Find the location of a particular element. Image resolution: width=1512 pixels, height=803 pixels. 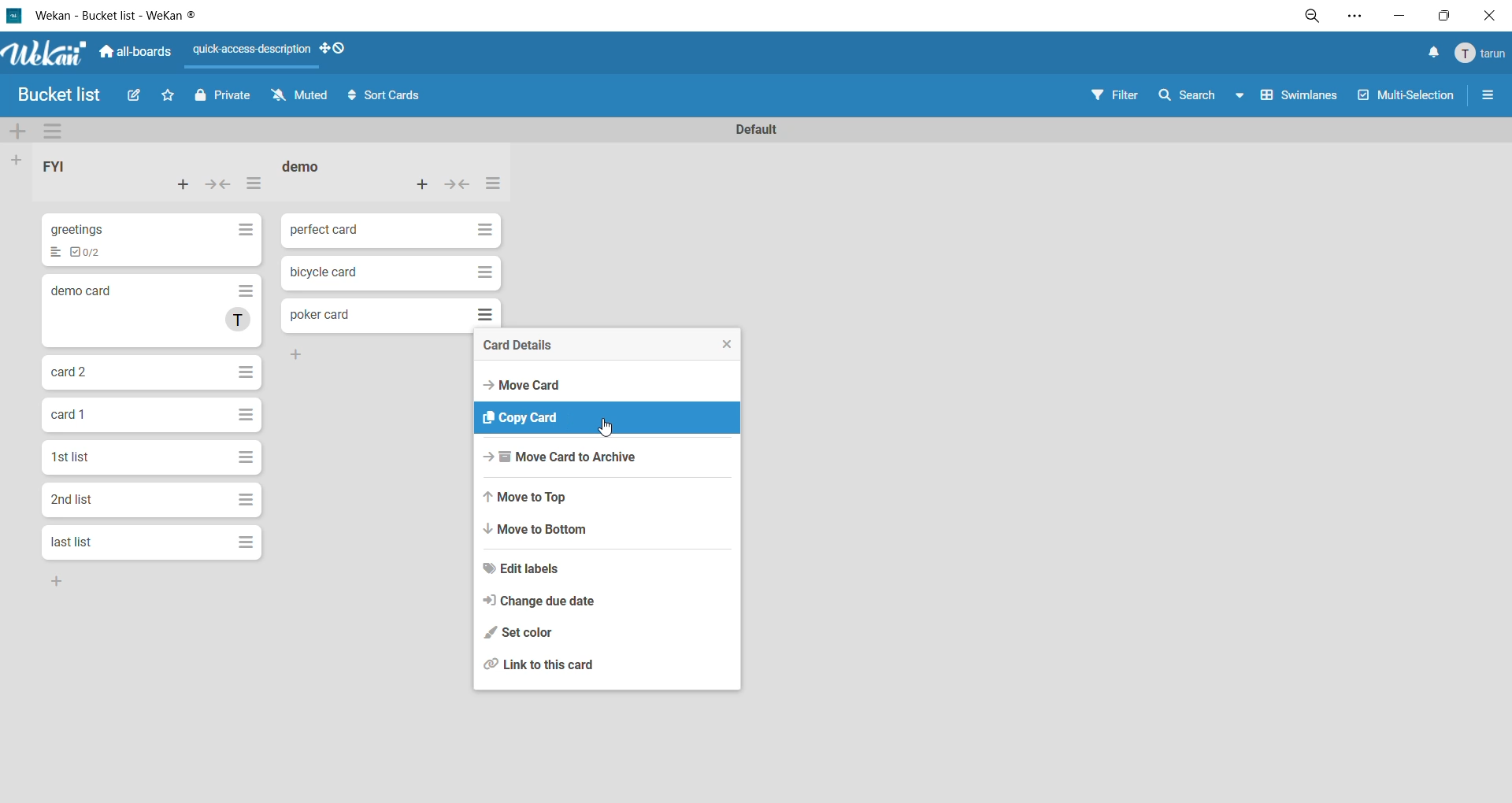

swimlane actions is located at coordinates (60, 132).